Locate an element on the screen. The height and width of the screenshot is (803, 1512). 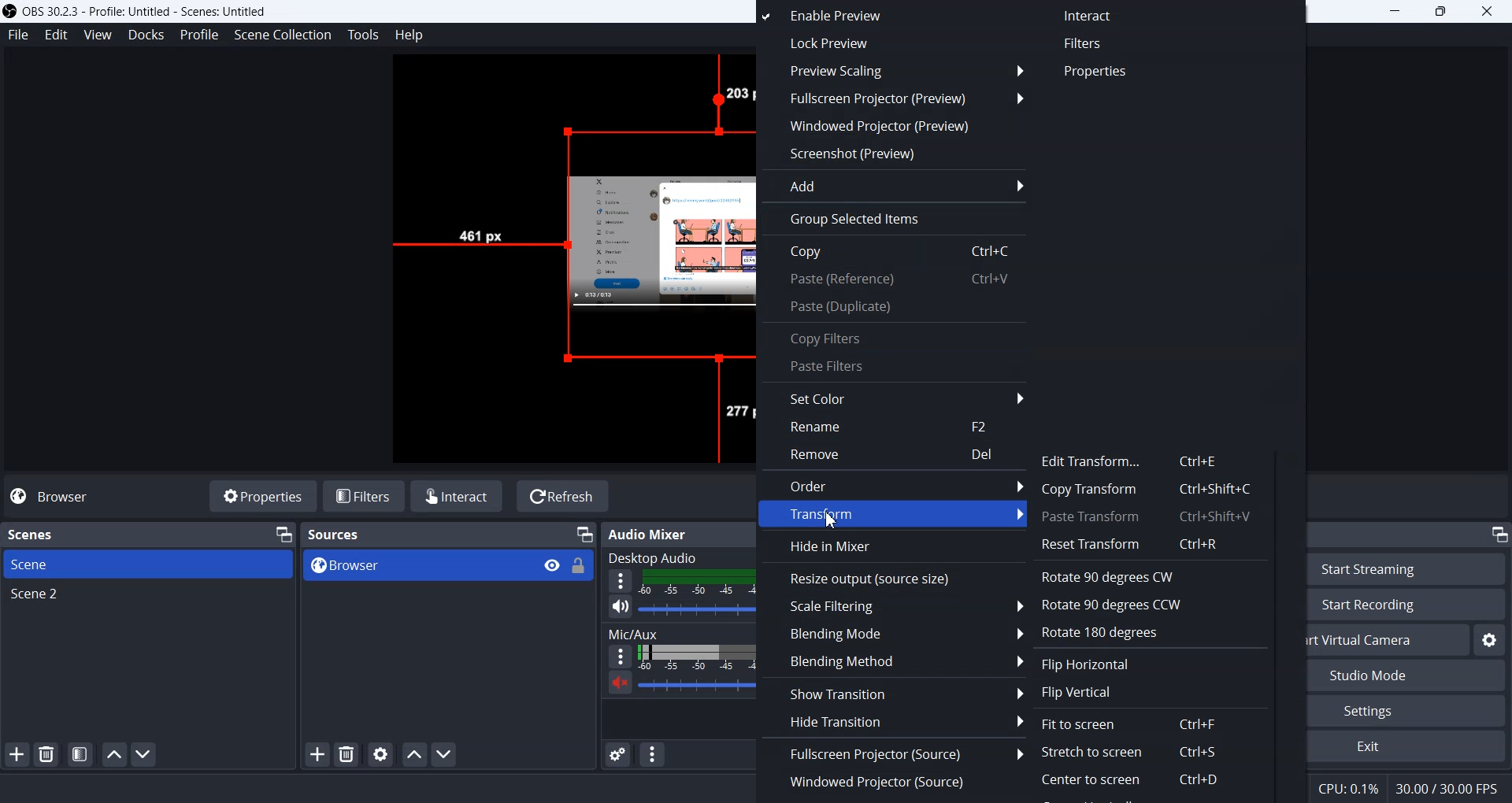
Profile is located at coordinates (198, 34).